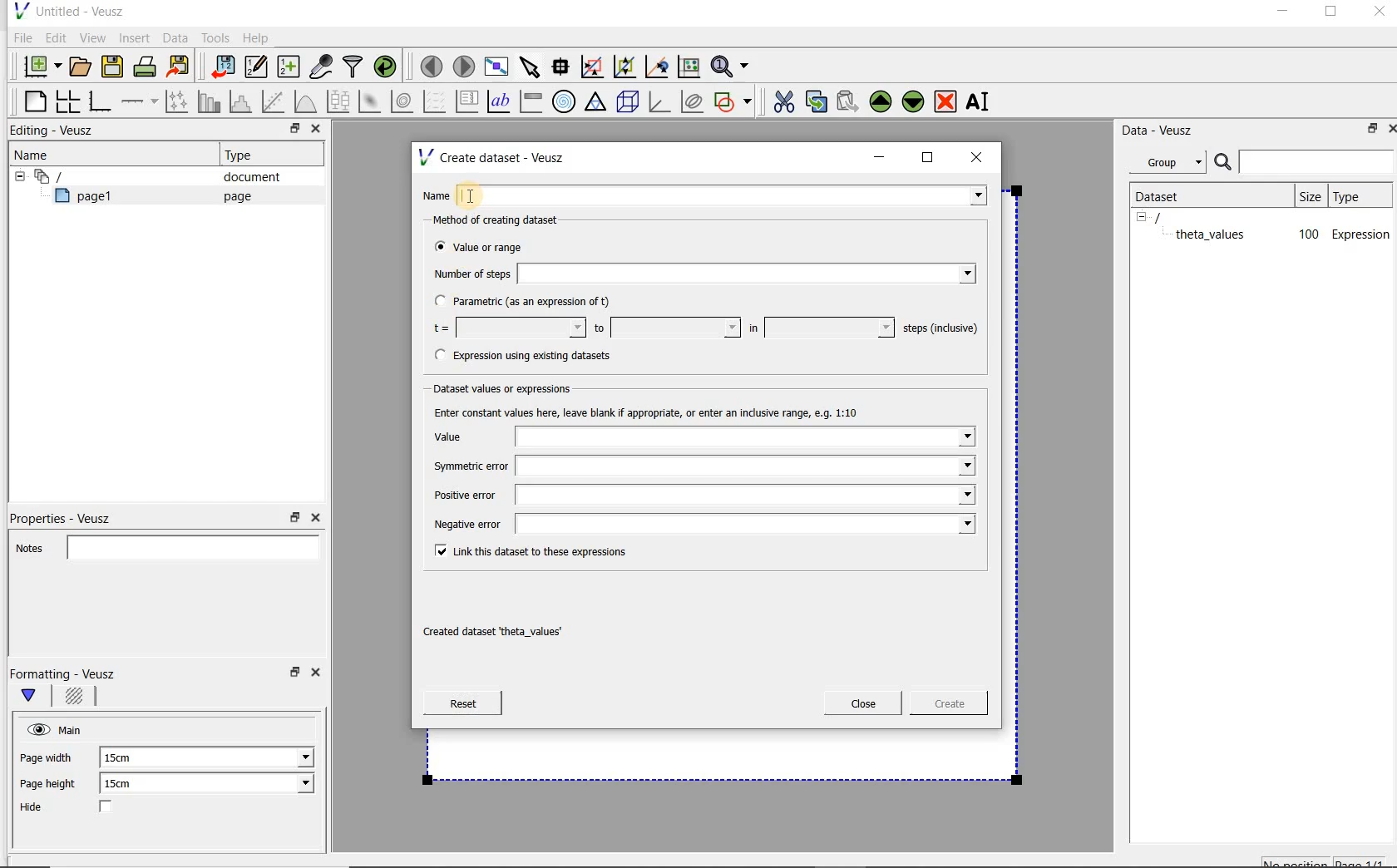 The width and height of the screenshot is (1397, 868). I want to click on Close, so click(863, 703).